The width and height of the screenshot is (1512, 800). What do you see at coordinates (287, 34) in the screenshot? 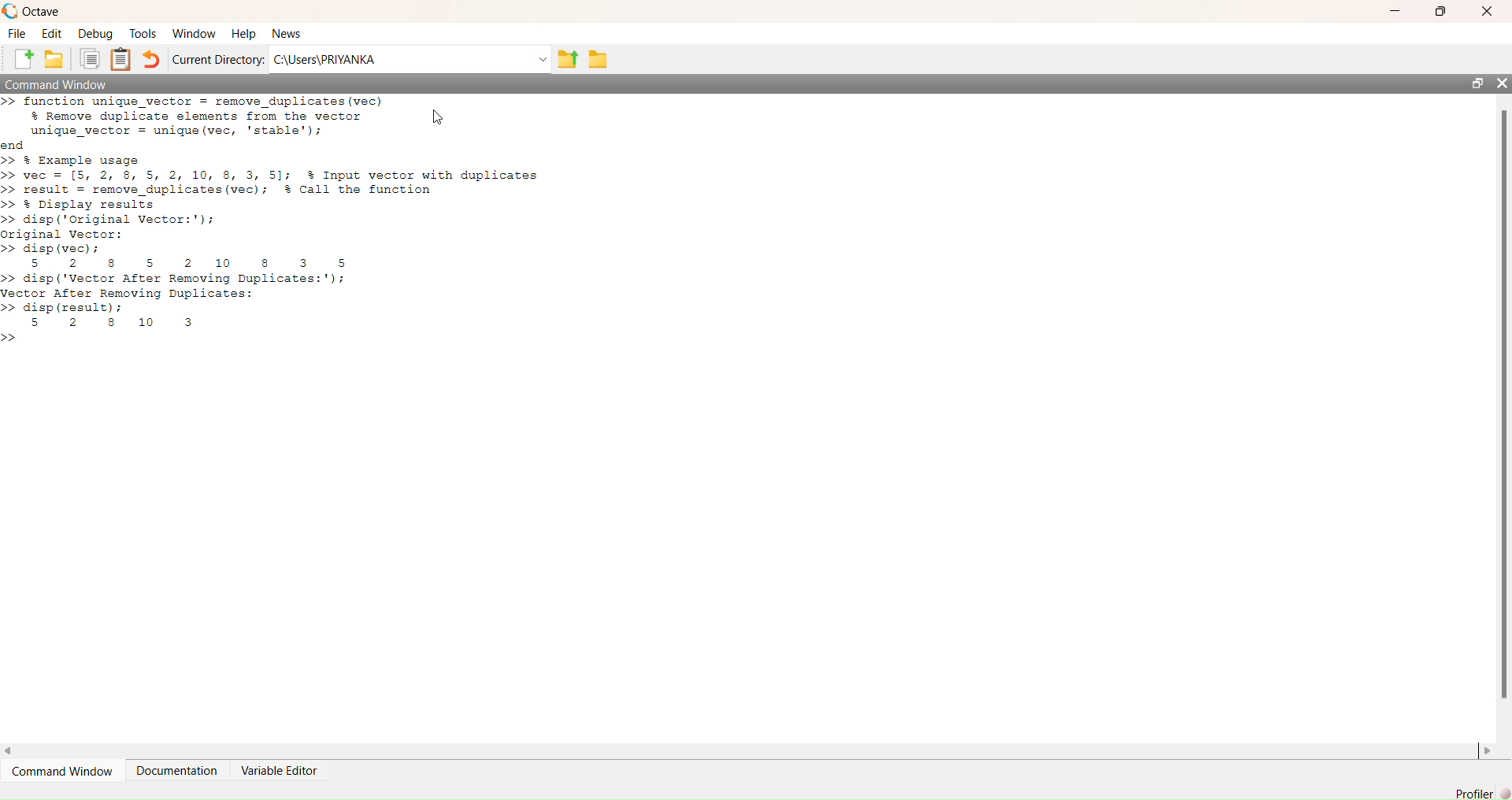
I see `news` at bounding box center [287, 34].